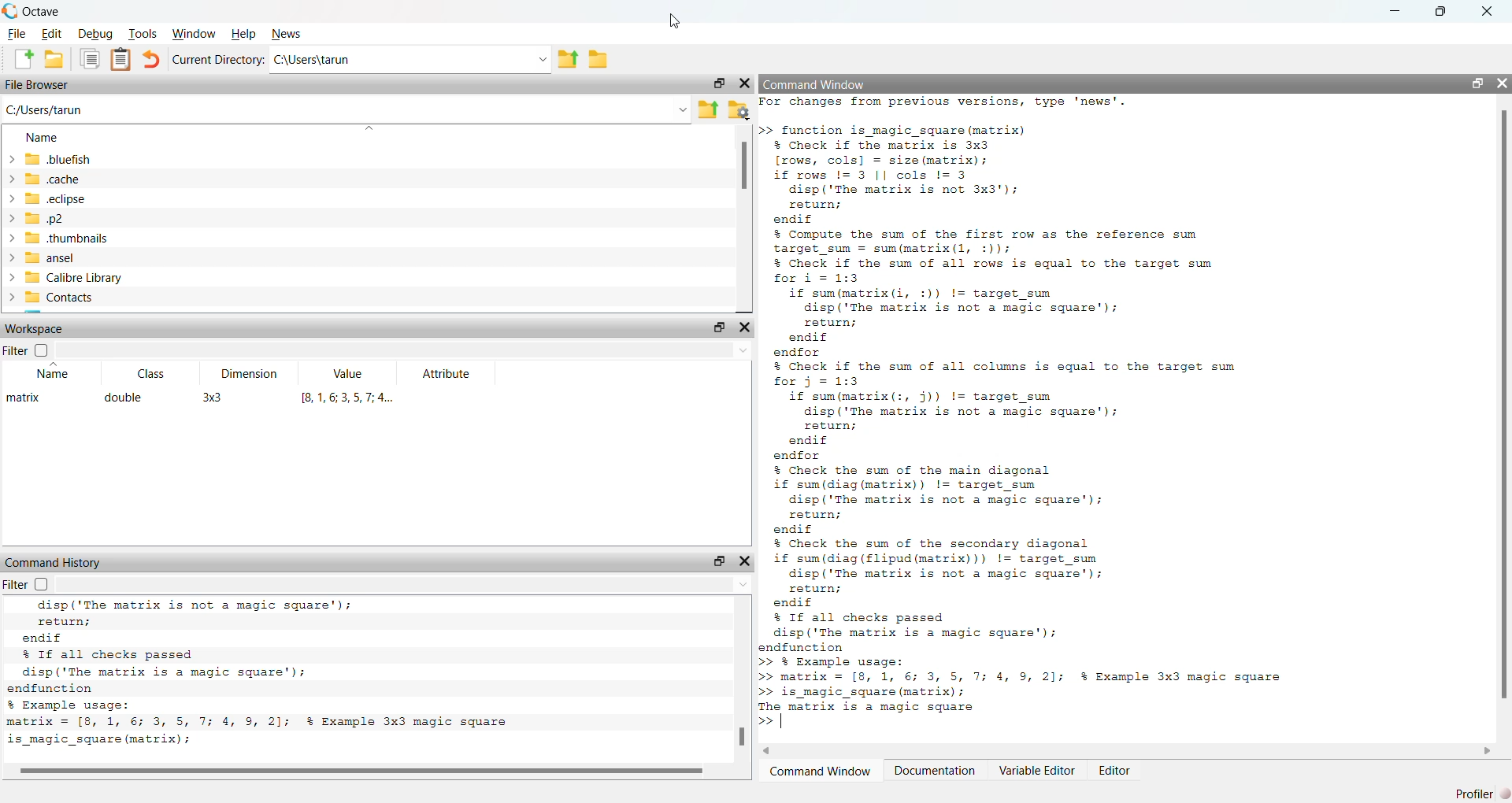 Image resolution: width=1512 pixels, height=803 pixels. What do you see at coordinates (1484, 793) in the screenshot?
I see `Profiler` at bounding box center [1484, 793].